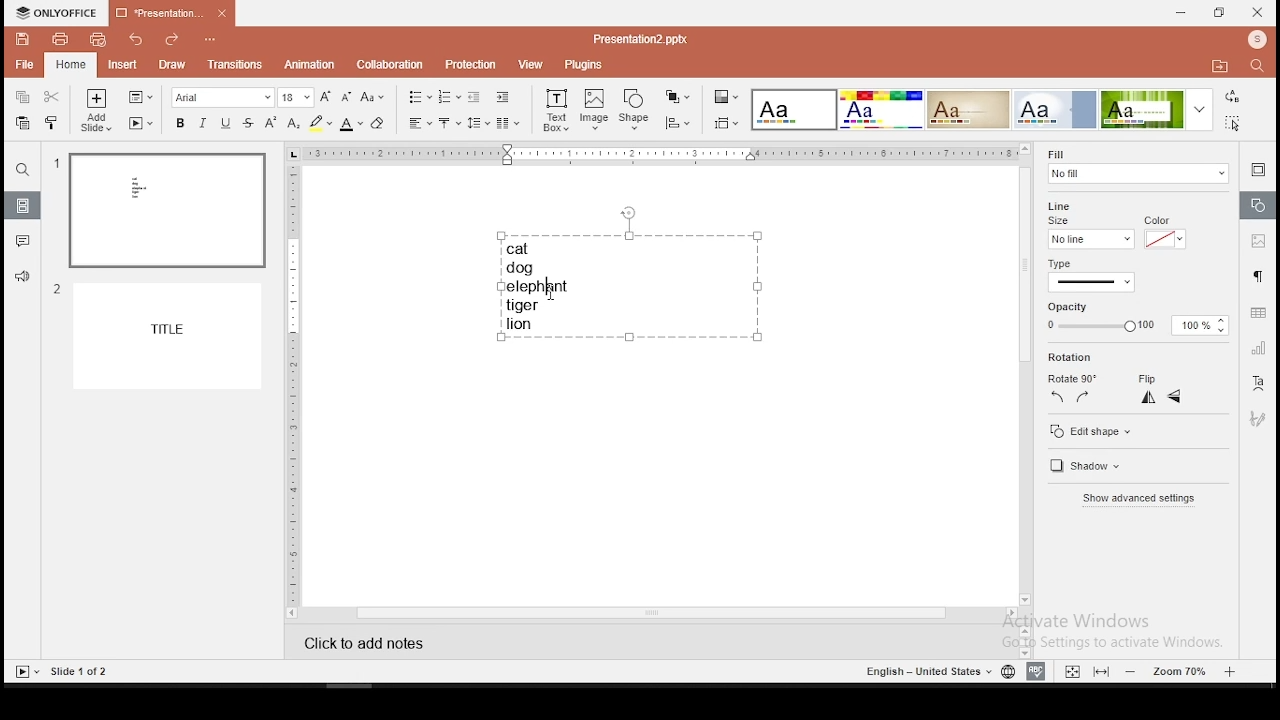 This screenshot has height=720, width=1280. What do you see at coordinates (1257, 416) in the screenshot?
I see `` at bounding box center [1257, 416].